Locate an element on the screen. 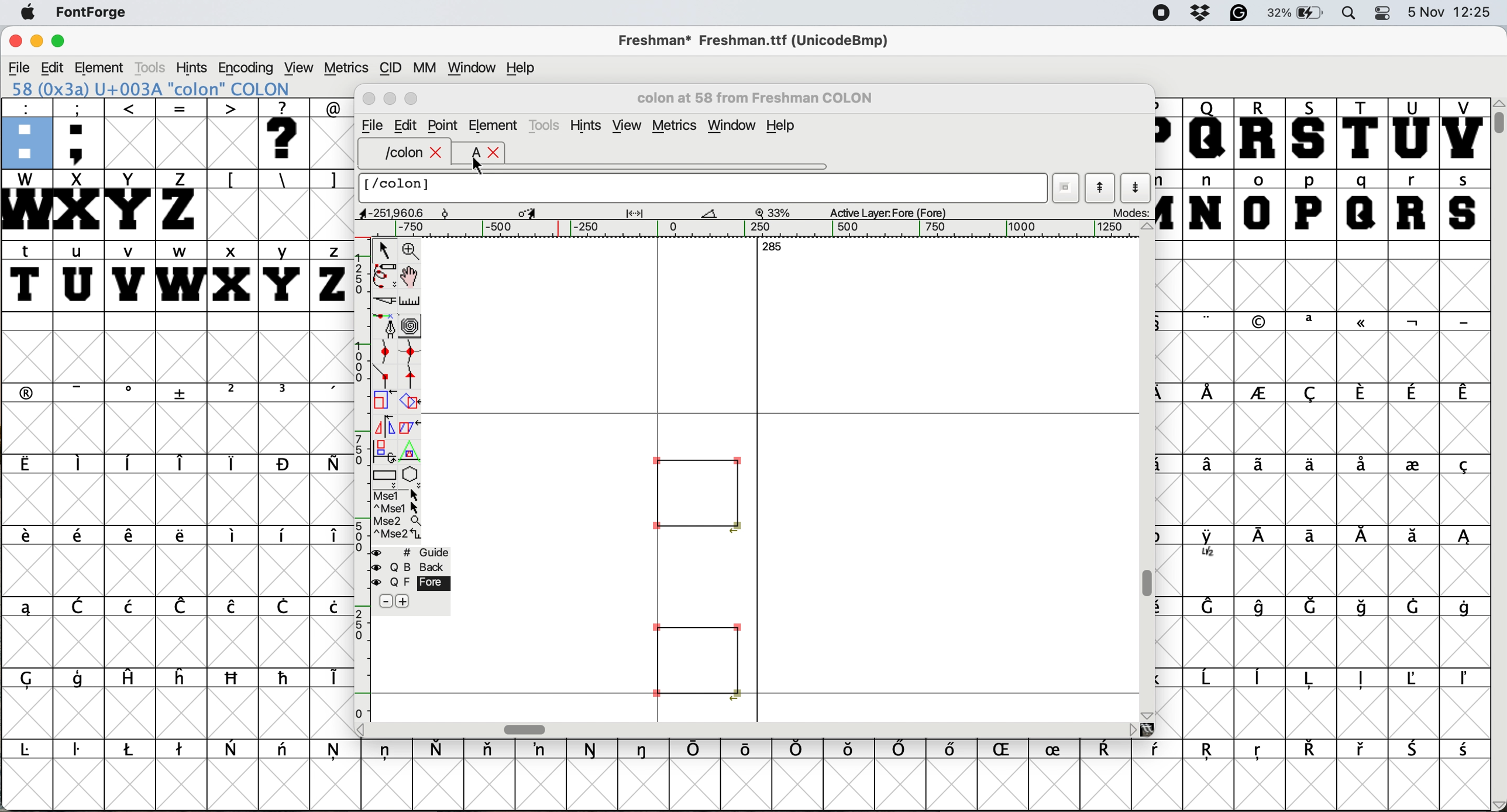  Freshman* Freshman.ttf (UnicodeBmp) is located at coordinates (759, 40).